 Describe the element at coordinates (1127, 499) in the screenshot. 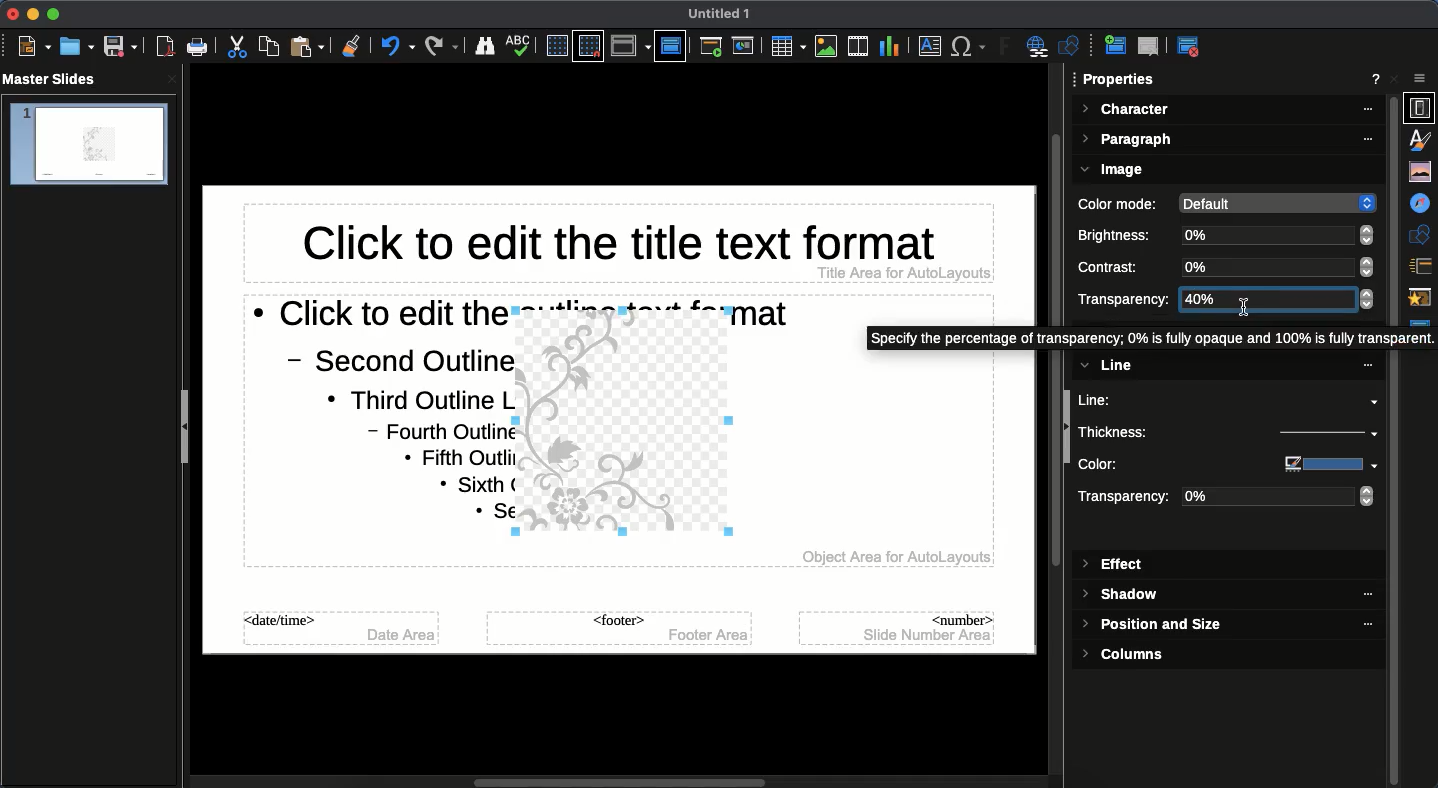

I see `Transparency` at that location.